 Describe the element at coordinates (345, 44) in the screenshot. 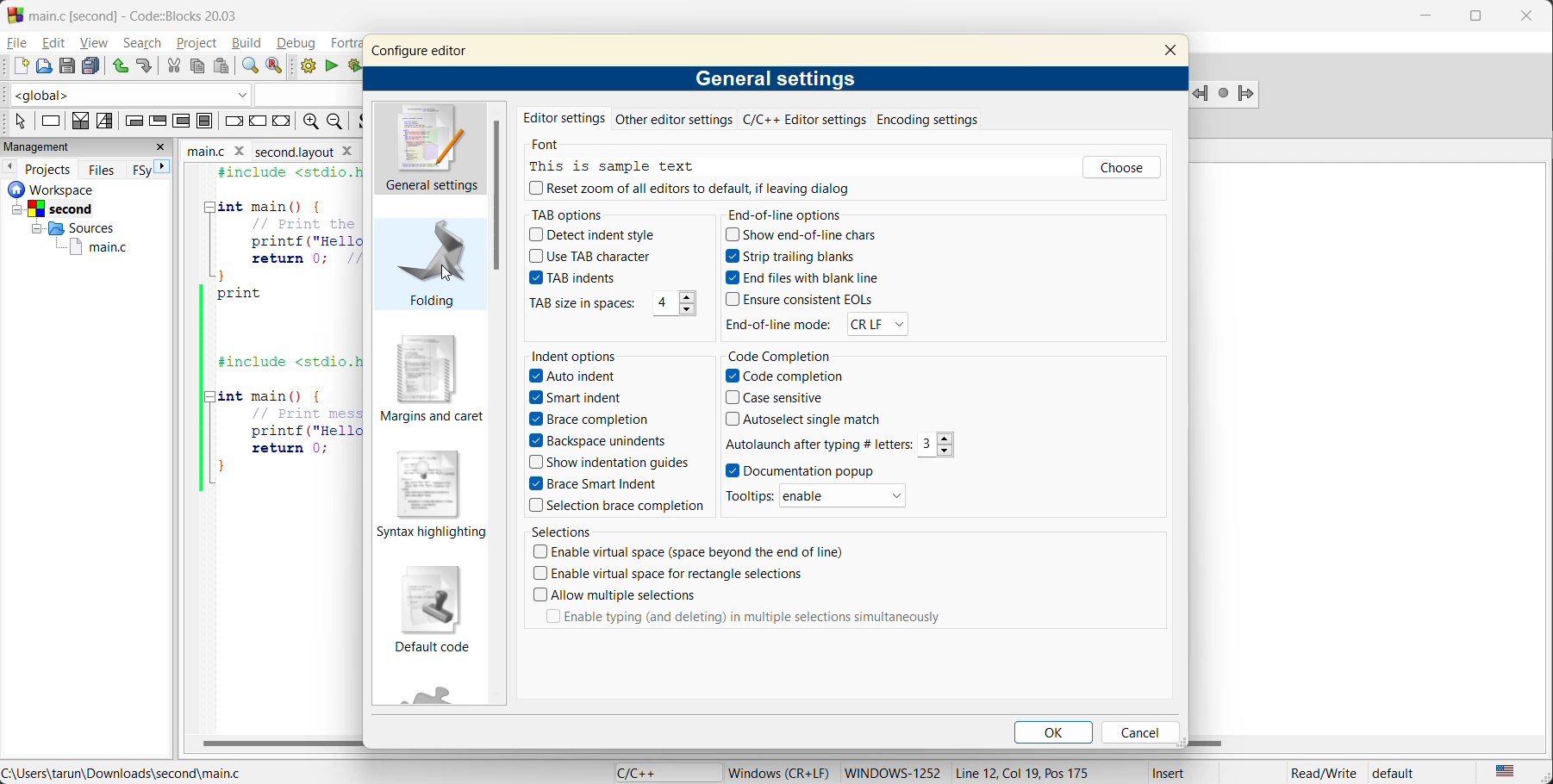

I see `fortran` at that location.